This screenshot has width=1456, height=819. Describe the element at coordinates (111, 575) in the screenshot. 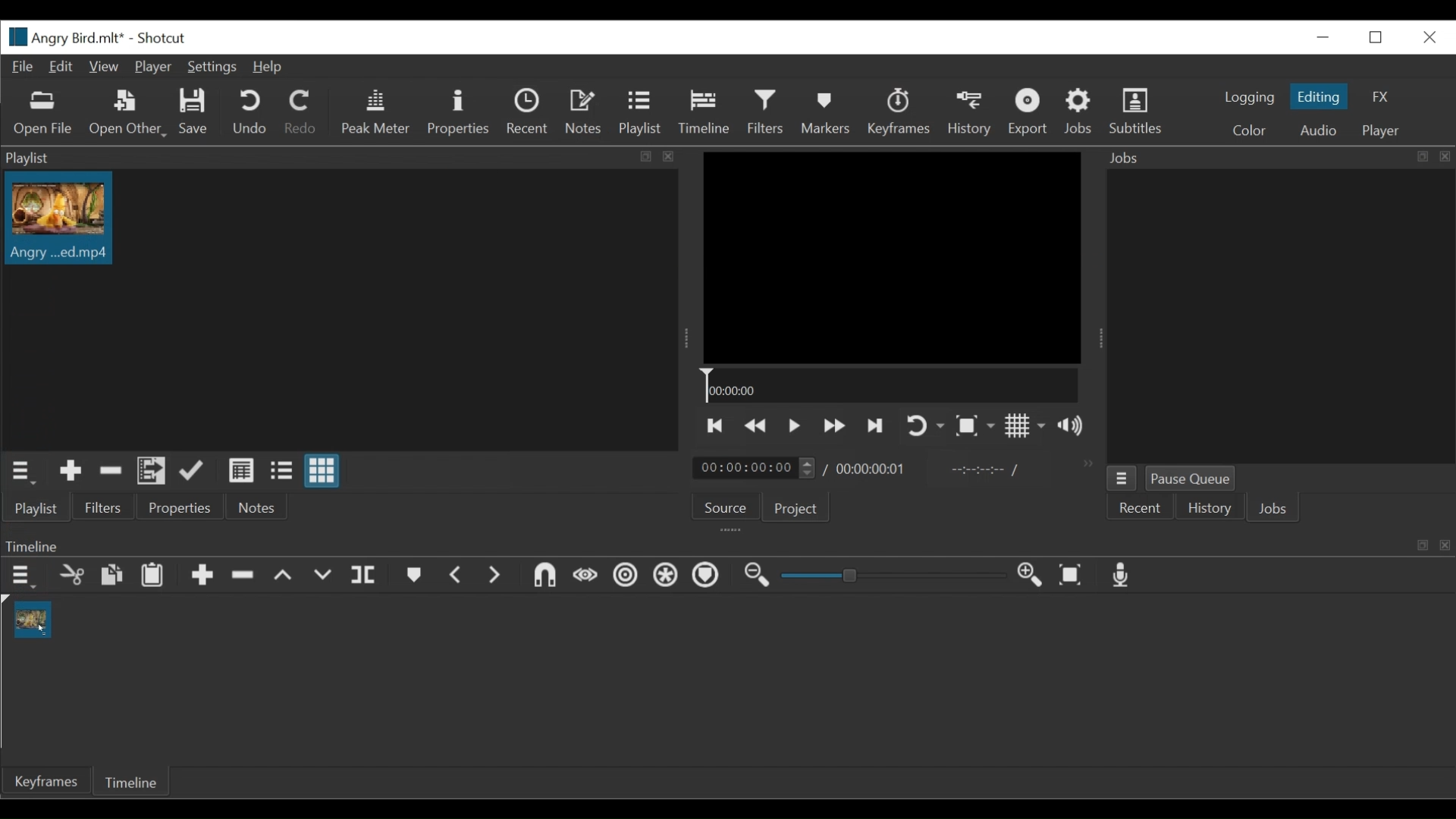

I see `Copy` at that location.